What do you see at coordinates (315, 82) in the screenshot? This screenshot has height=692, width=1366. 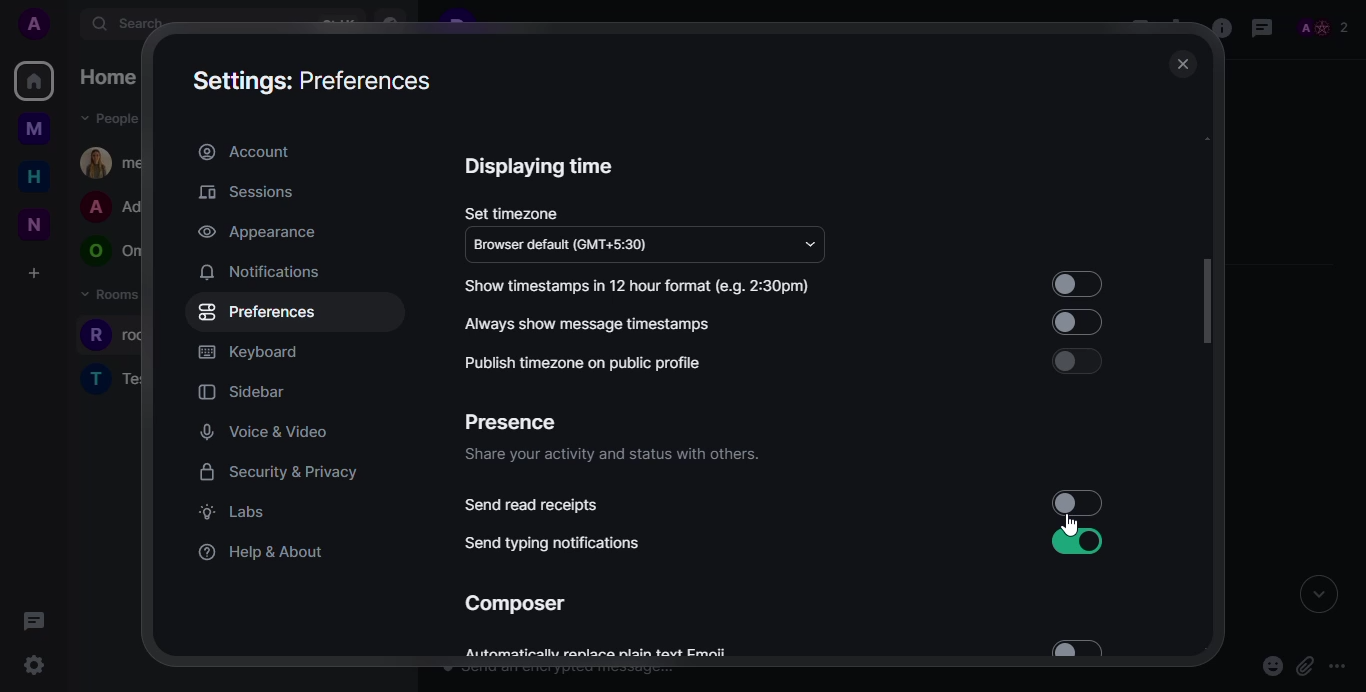 I see `settings preferences` at bounding box center [315, 82].